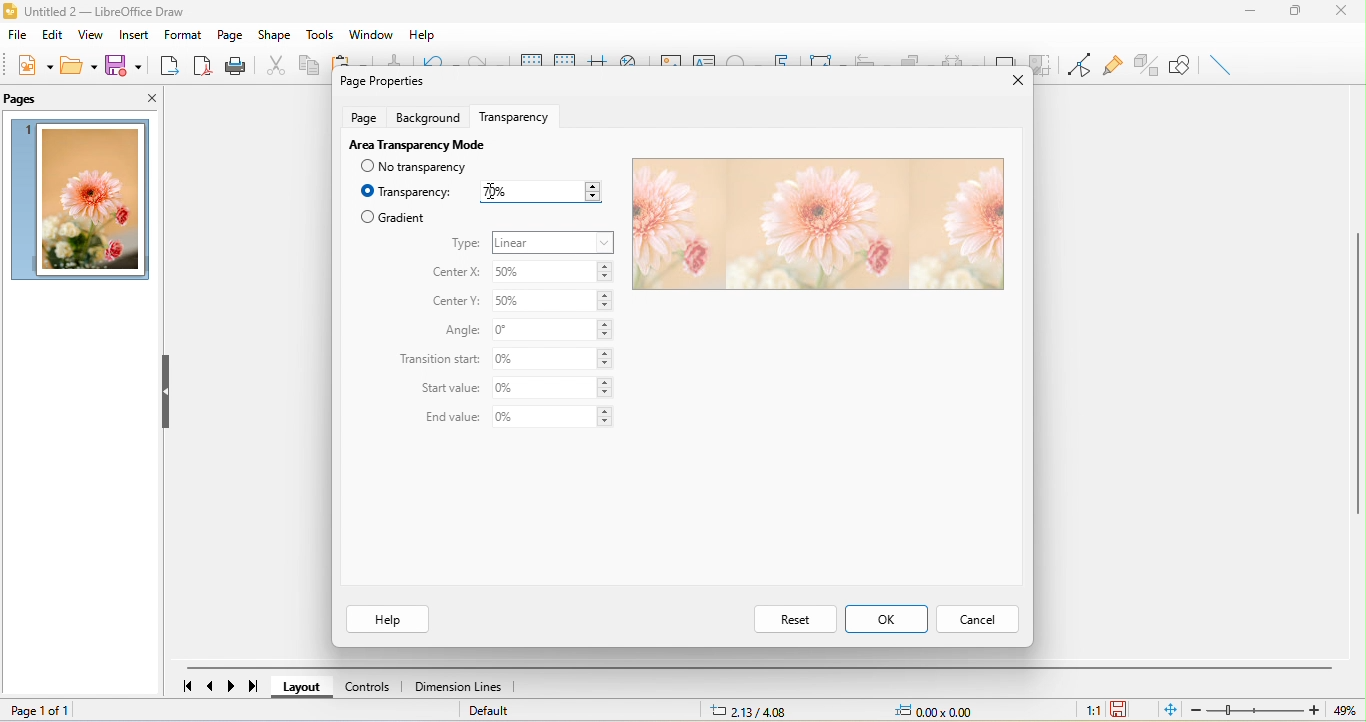  I want to click on transparency, so click(520, 114).